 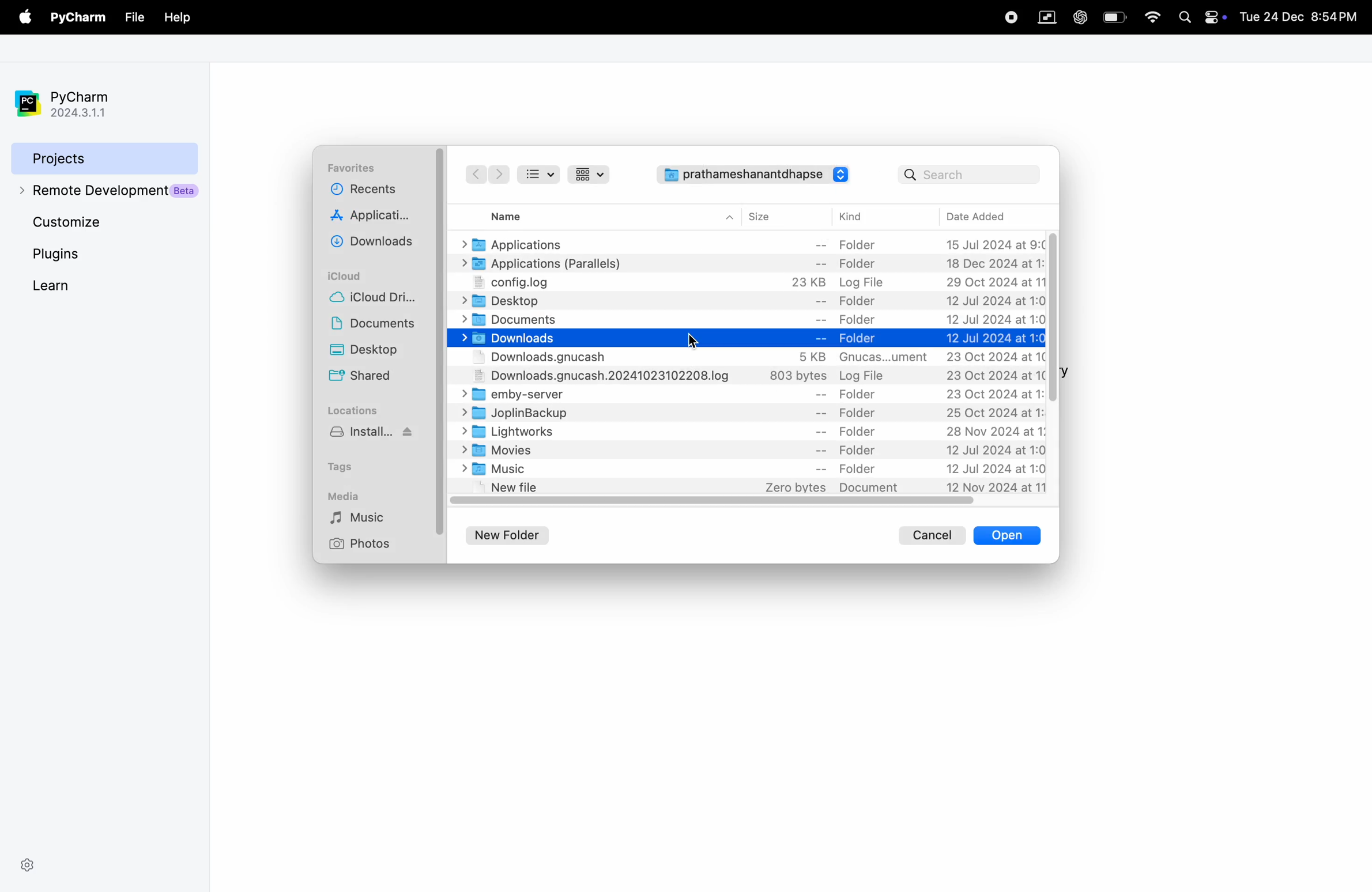 I want to click on downlaods, so click(x=745, y=338).